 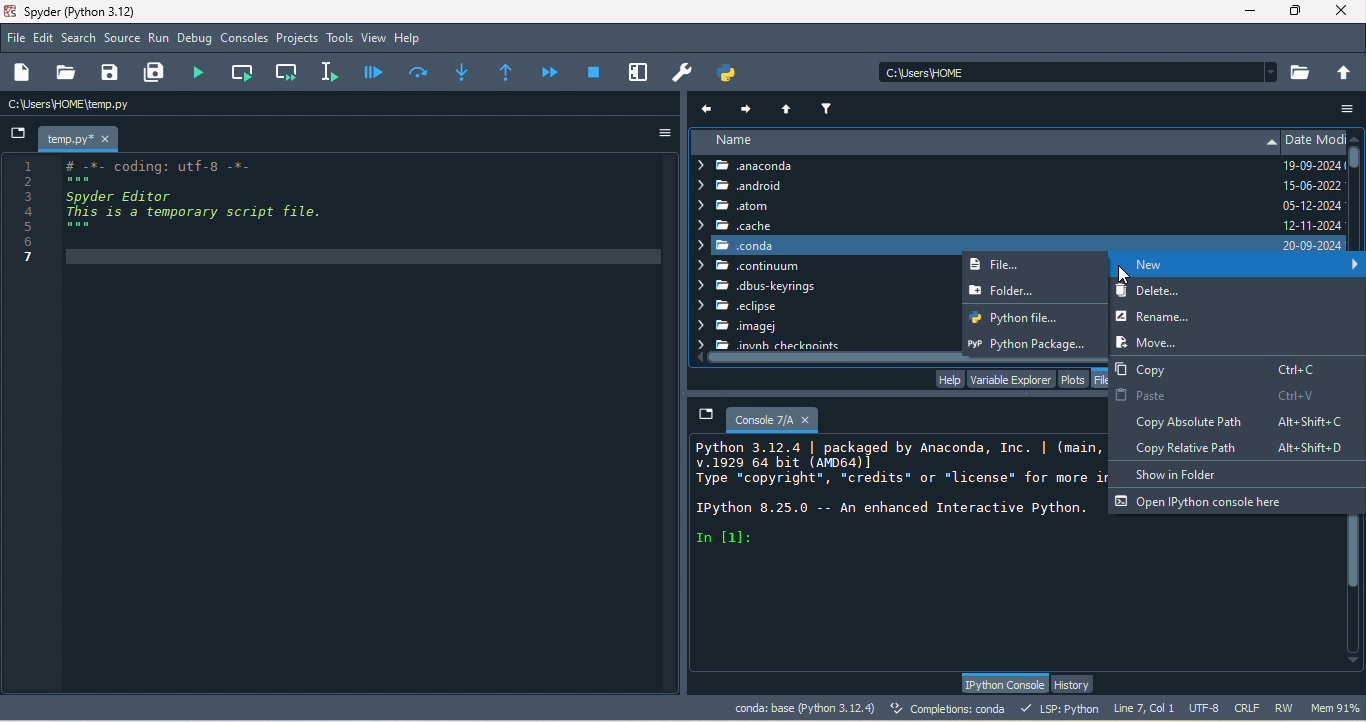 What do you see at coordinates (761, 166) in the screenshot?
I see `anaconda` at bounding box center [761, 166].